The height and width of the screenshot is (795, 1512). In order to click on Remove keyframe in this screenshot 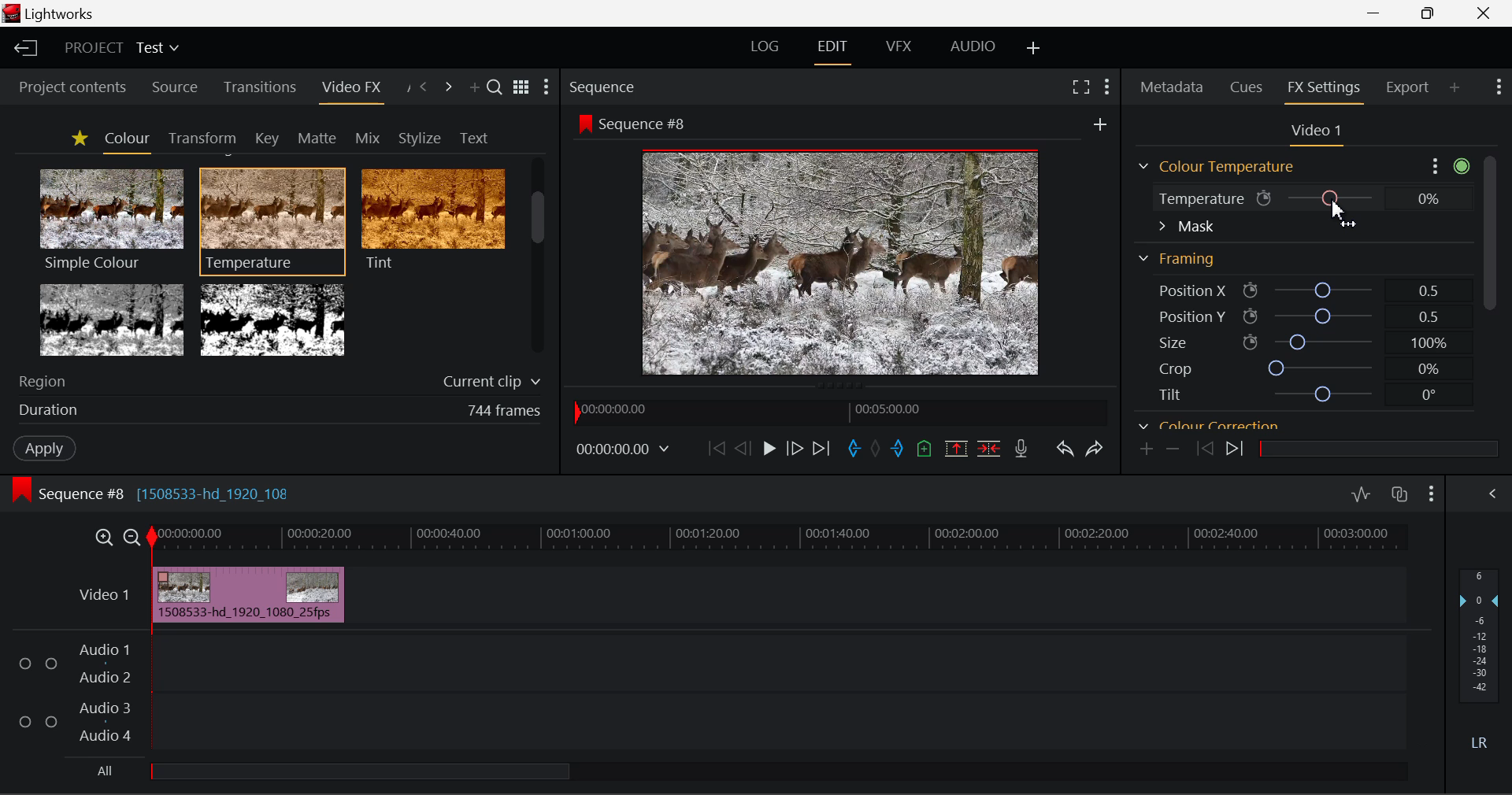, I will do `click(1173, 451)`.